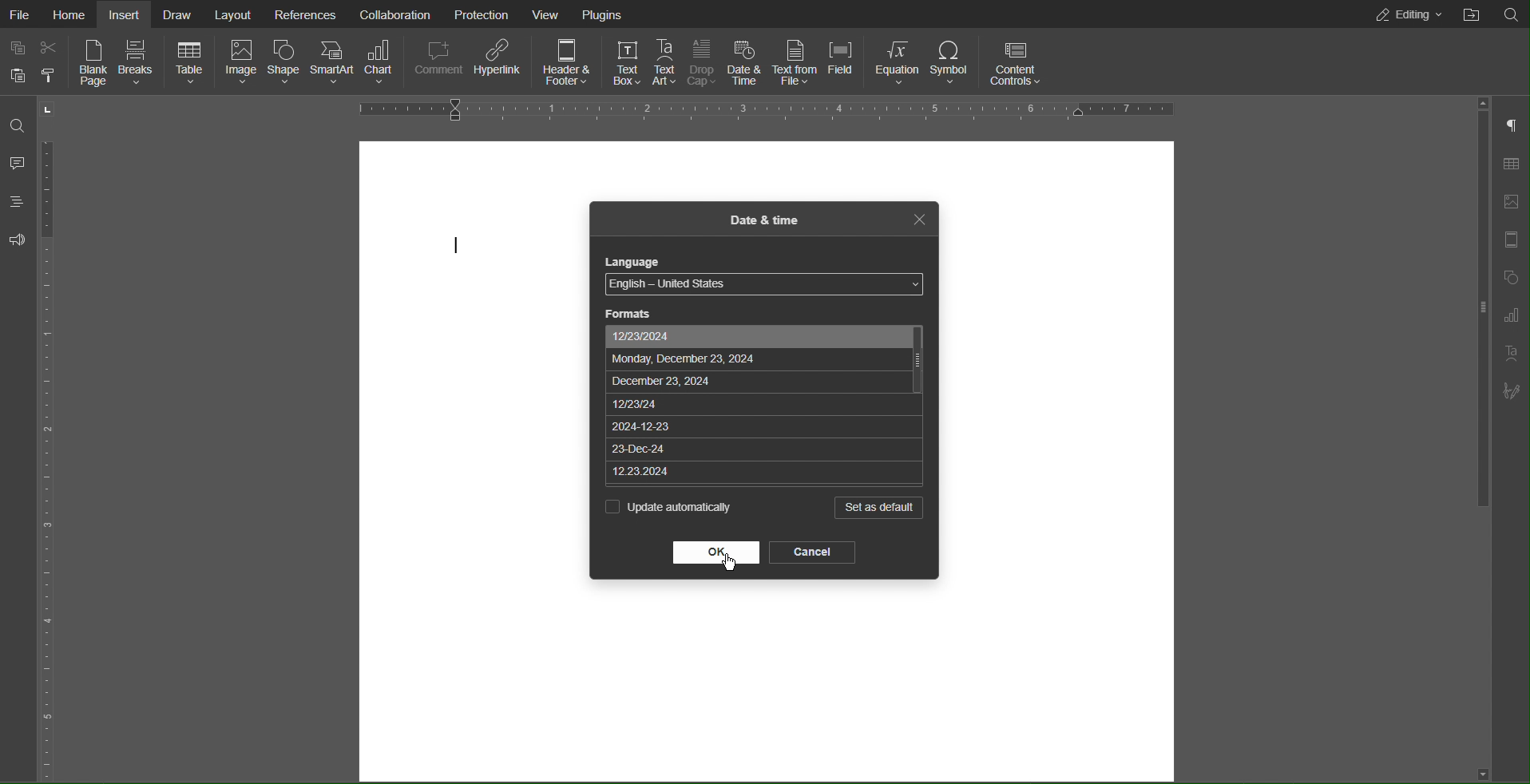  I want to click on Horizontal Ruler, so click(758, 109).